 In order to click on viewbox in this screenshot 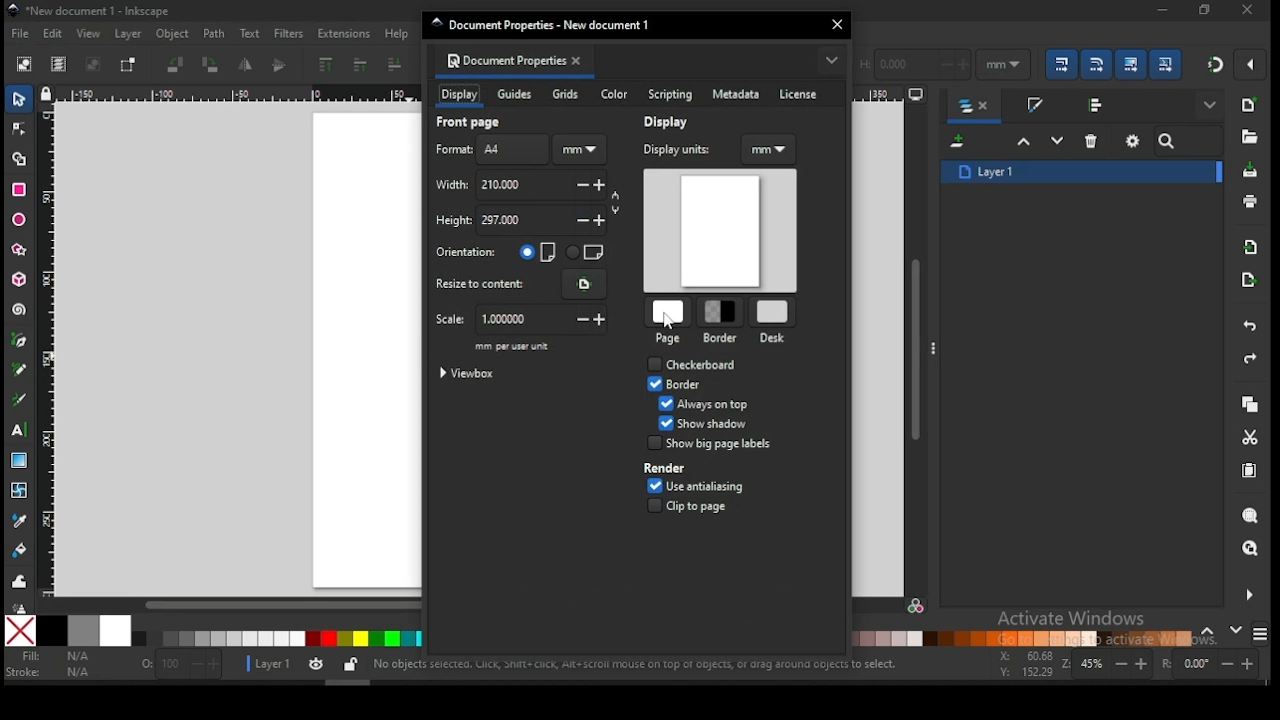, I will do `click(469, 374)`.